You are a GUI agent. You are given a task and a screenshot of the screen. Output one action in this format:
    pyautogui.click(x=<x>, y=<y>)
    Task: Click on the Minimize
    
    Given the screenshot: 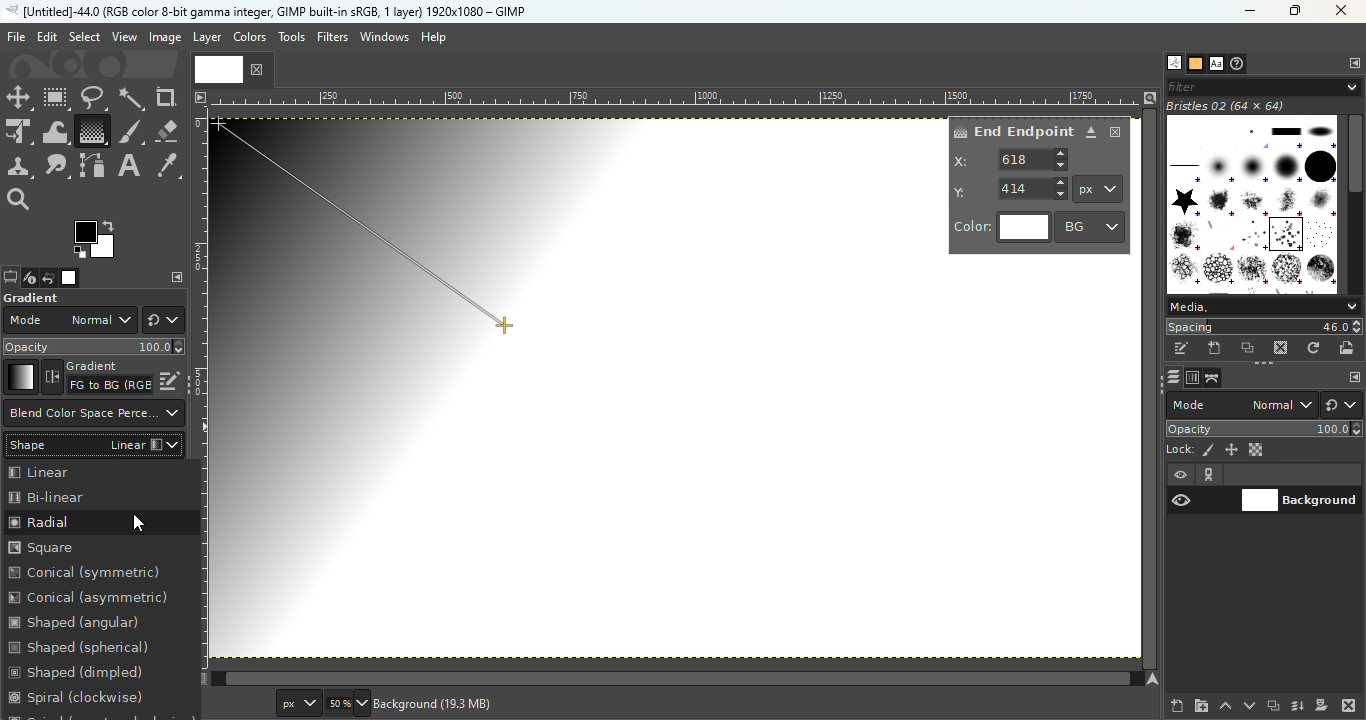 What is the action you would take?
    pyautogui.click(x=1247, y=11)
    